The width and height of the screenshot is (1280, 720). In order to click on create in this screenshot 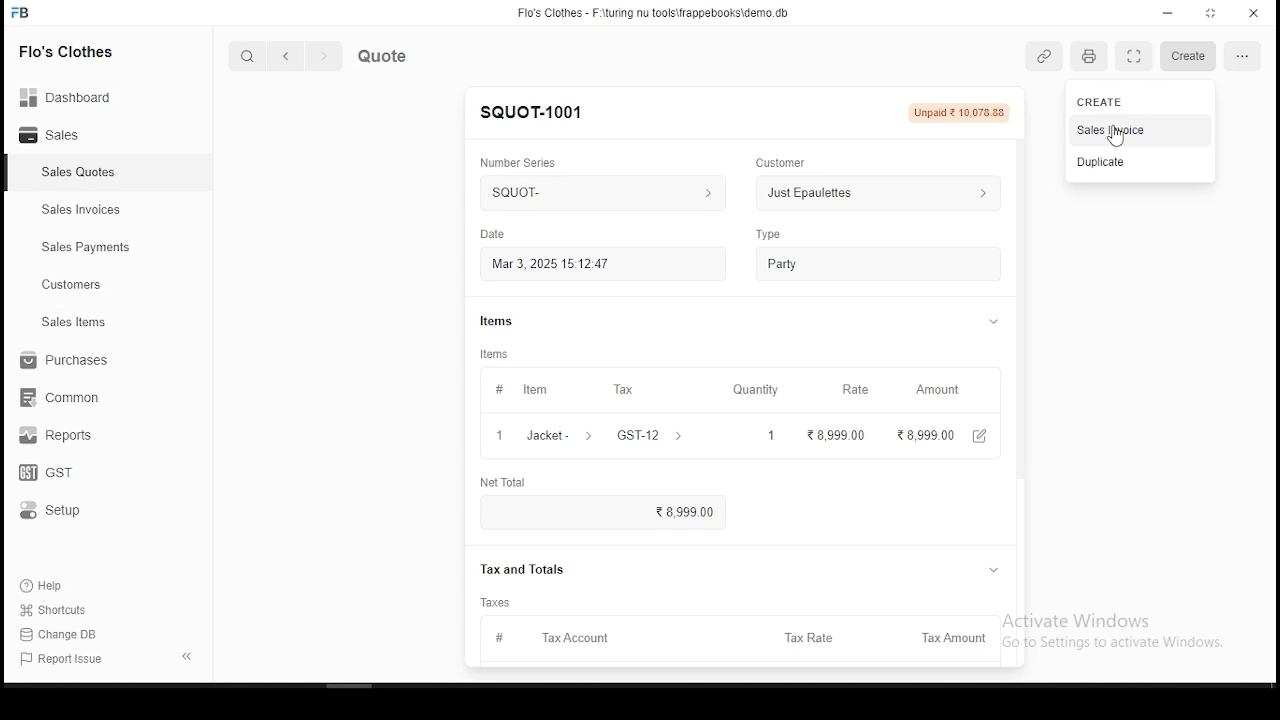, I will do `click(1131, 101)`.